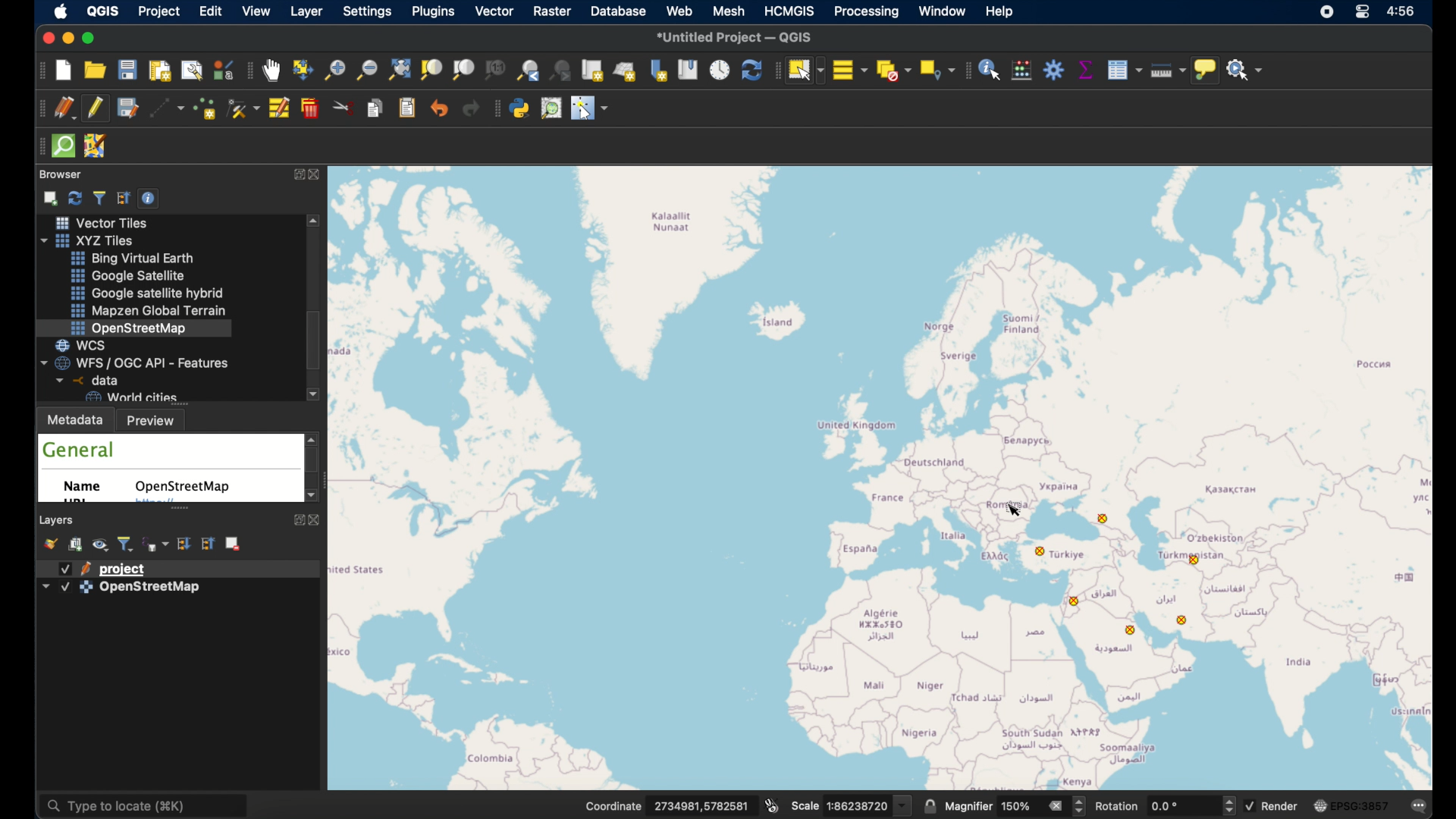 This screenshot has width=1456, height=819. Describe the element at coordinates (130, 328) in the screenshot. I see `openstreetmap` at that location.